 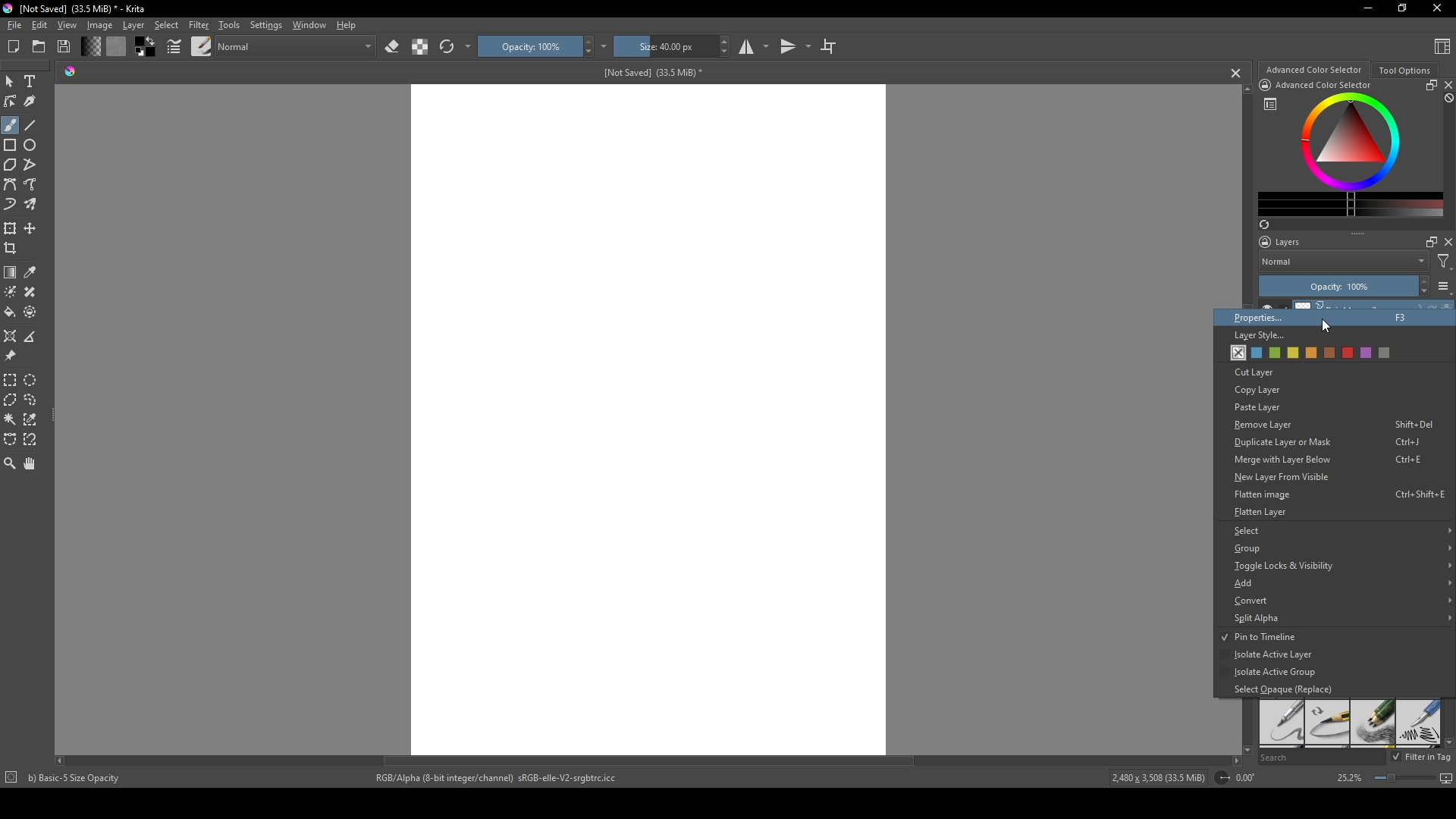 What do you see at coordinates (32, 185) in the screenshot?
I see `free hand` at bounding box center [32, 185].